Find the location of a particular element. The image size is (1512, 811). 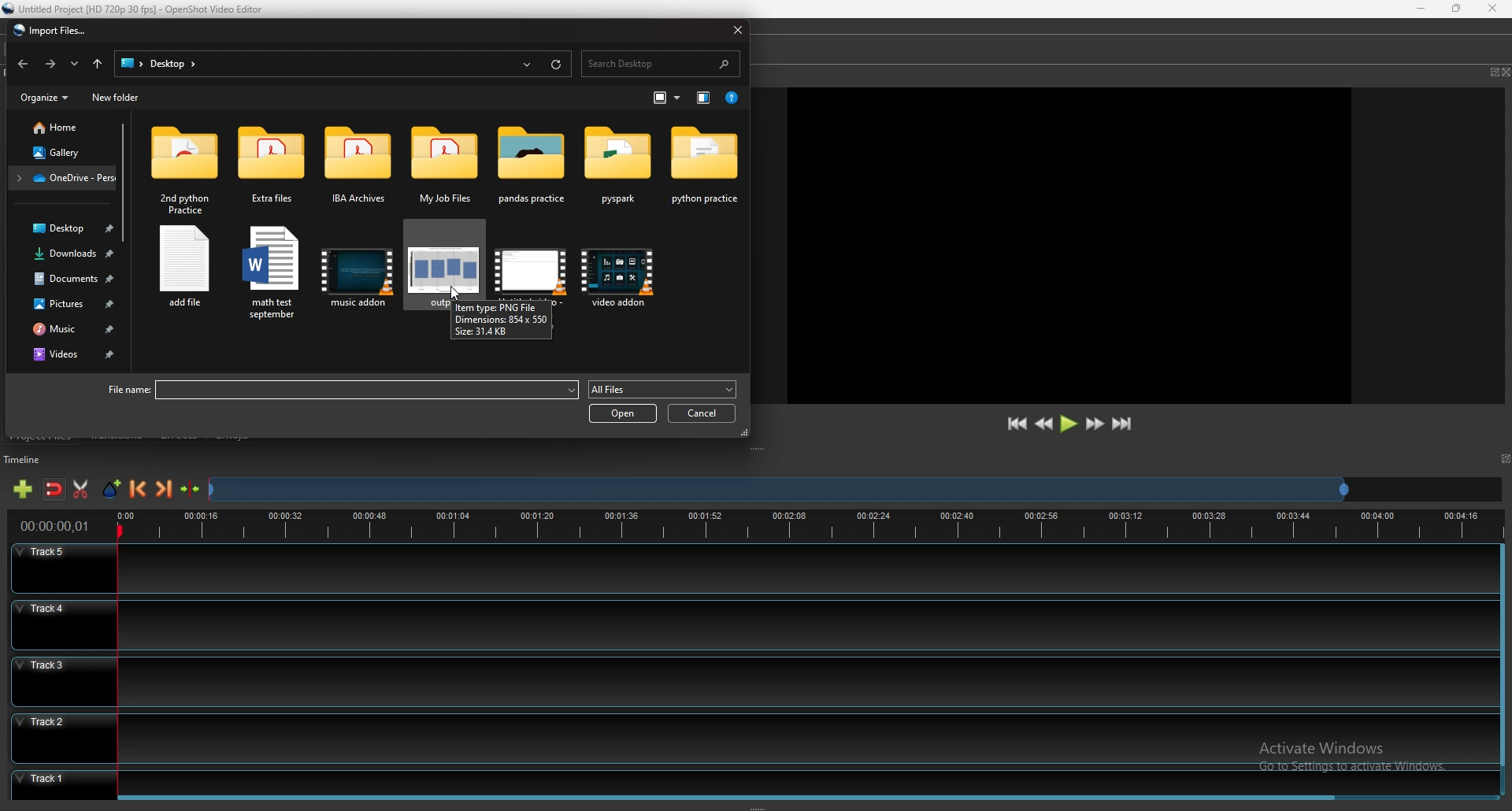

track 5 is located at coordinates (751, 568).